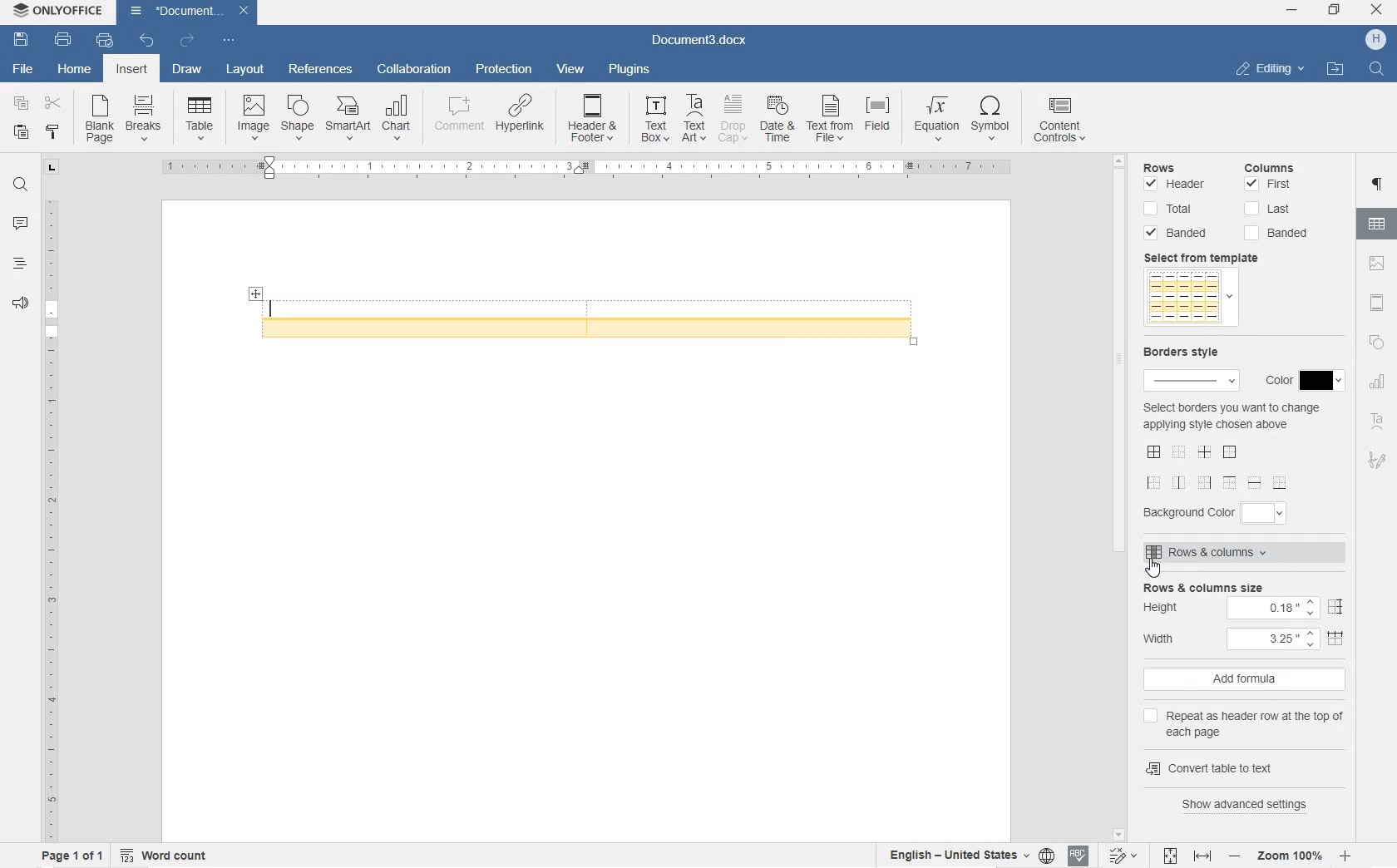 The image size is (1397, 868). Describe the element at coordinates (52, 167) in the screenshot. I see `TAB` at that location.